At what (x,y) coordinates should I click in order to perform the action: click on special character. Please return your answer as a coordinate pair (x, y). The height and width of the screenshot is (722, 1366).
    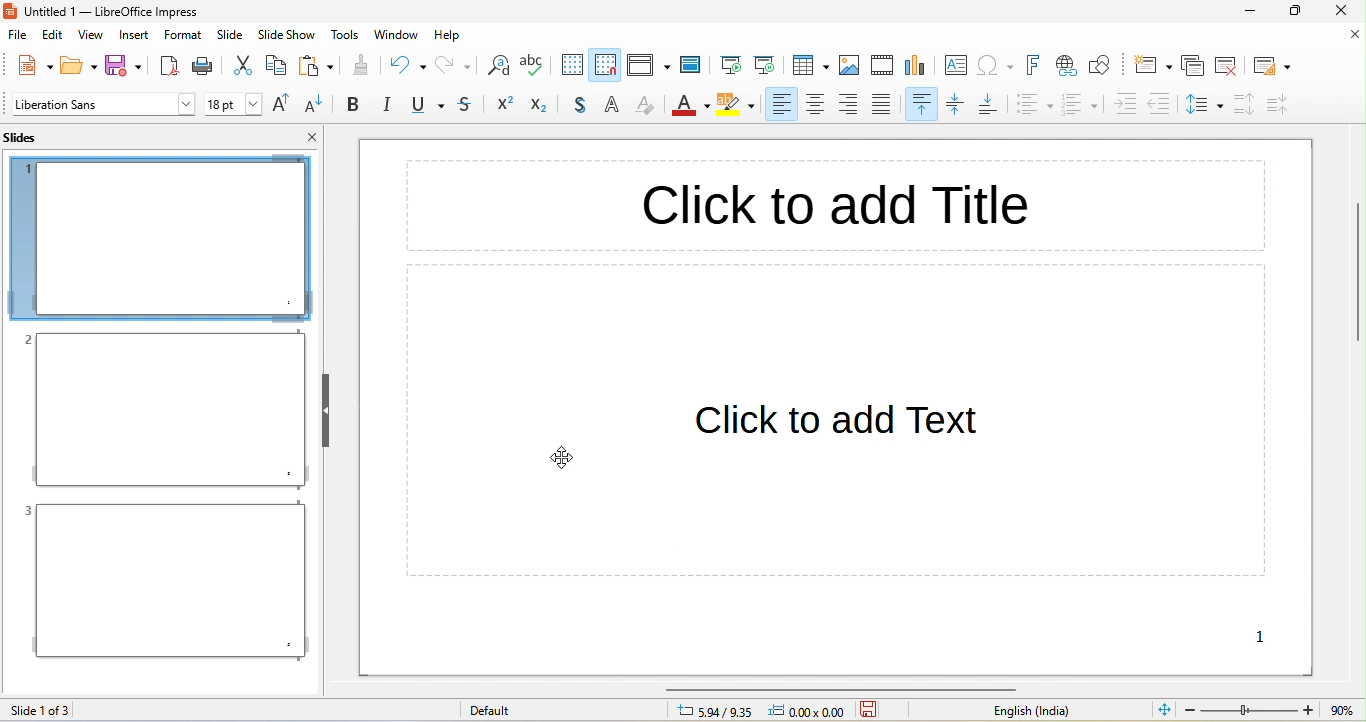
    Looking at the image, I should click on (999, 65).